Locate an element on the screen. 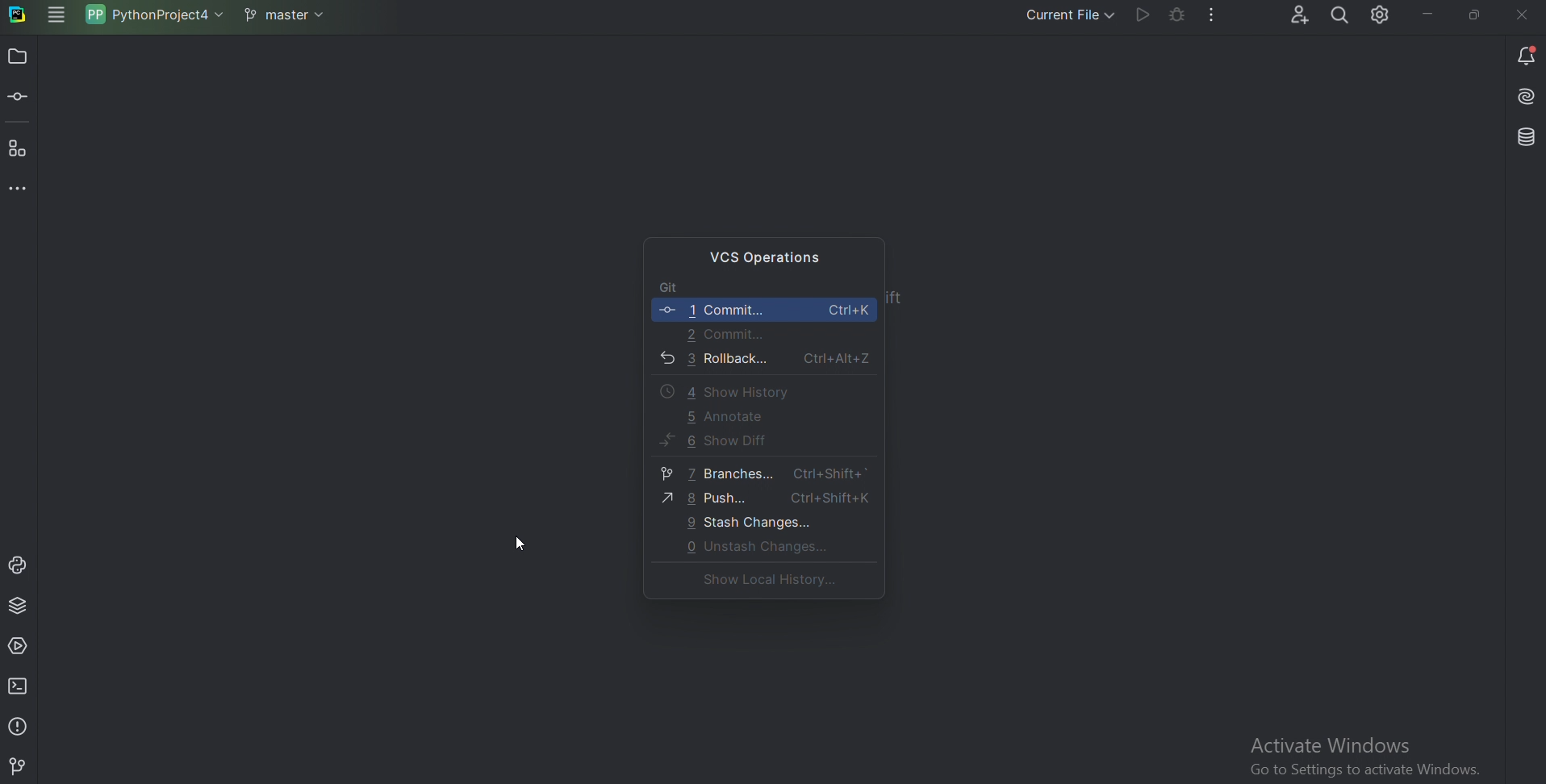  Pycharm is located at coordinates (19, 16).